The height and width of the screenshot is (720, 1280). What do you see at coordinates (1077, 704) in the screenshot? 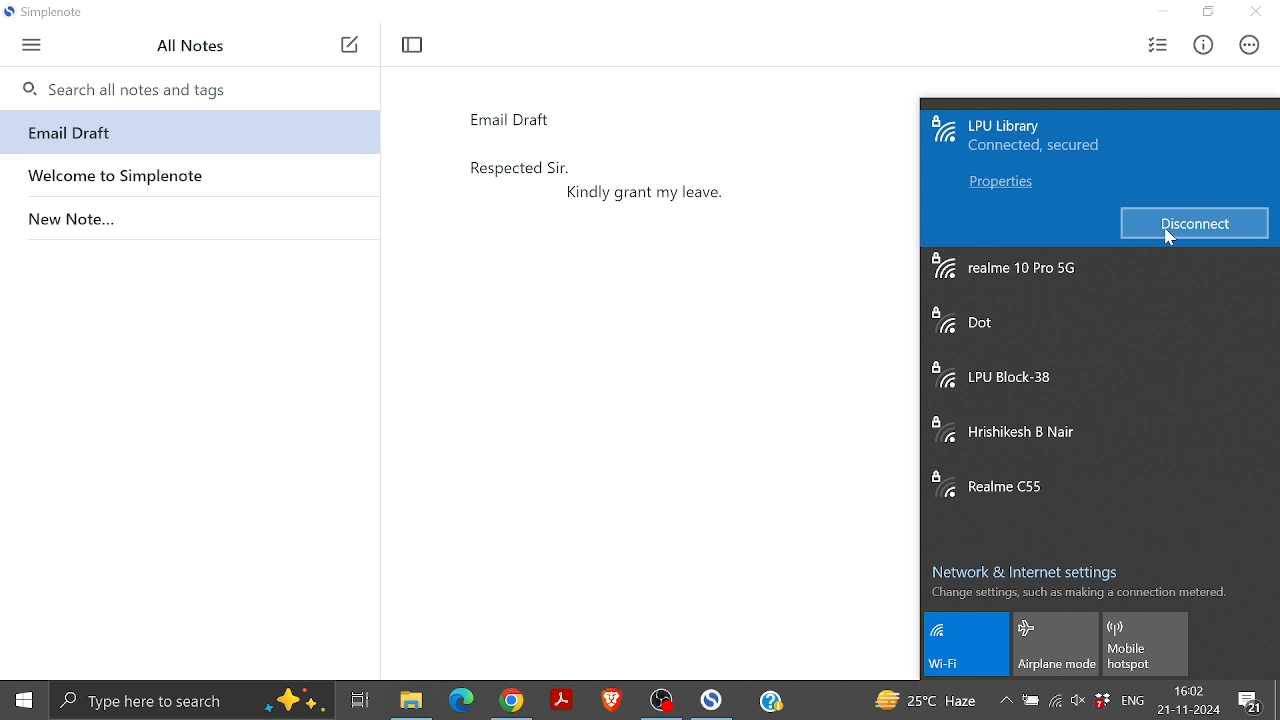
I see `Speaker/Headphone` at bounding box center [1077, 704].